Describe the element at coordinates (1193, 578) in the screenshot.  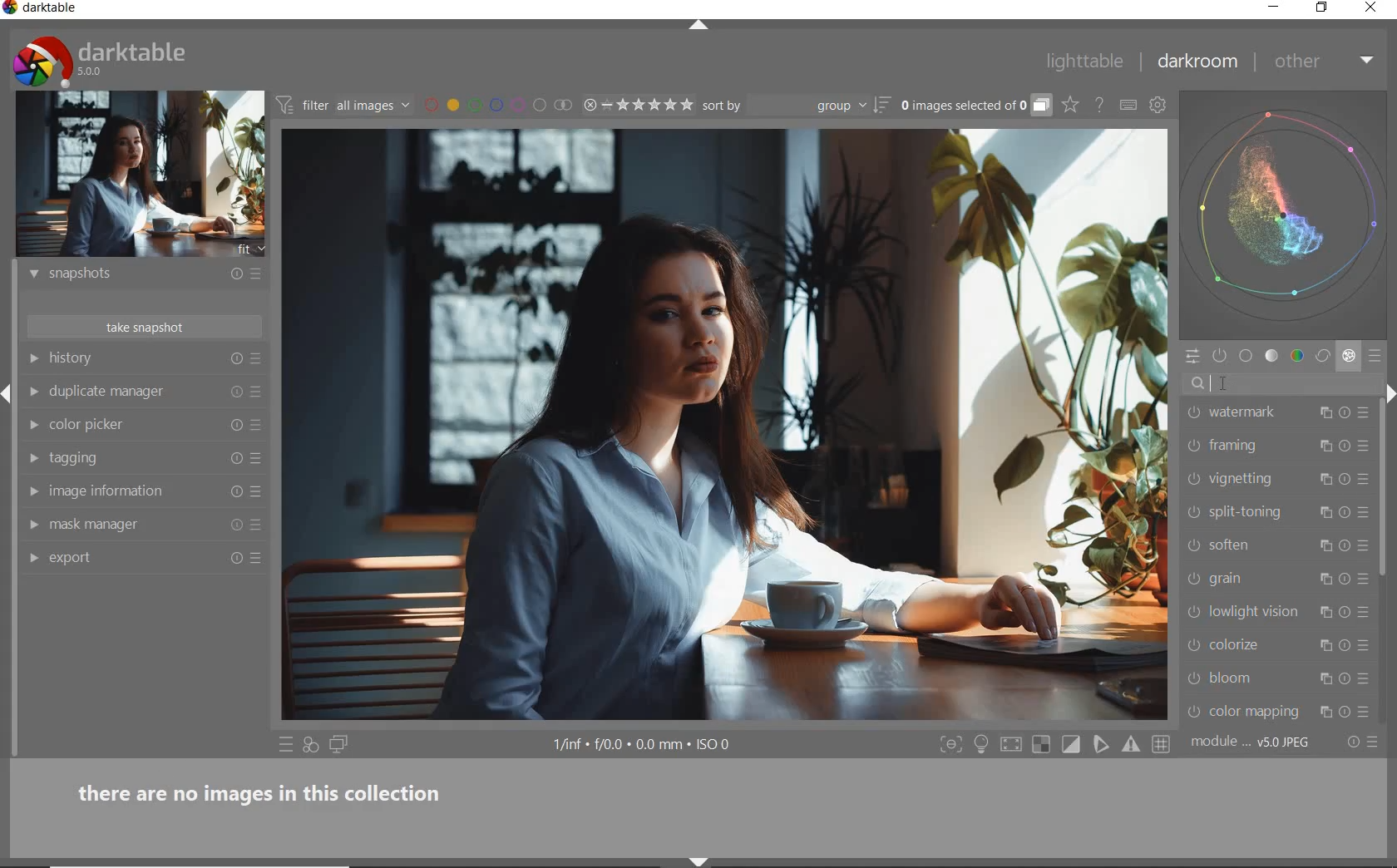
I see `'grain' is switched off` at that location.